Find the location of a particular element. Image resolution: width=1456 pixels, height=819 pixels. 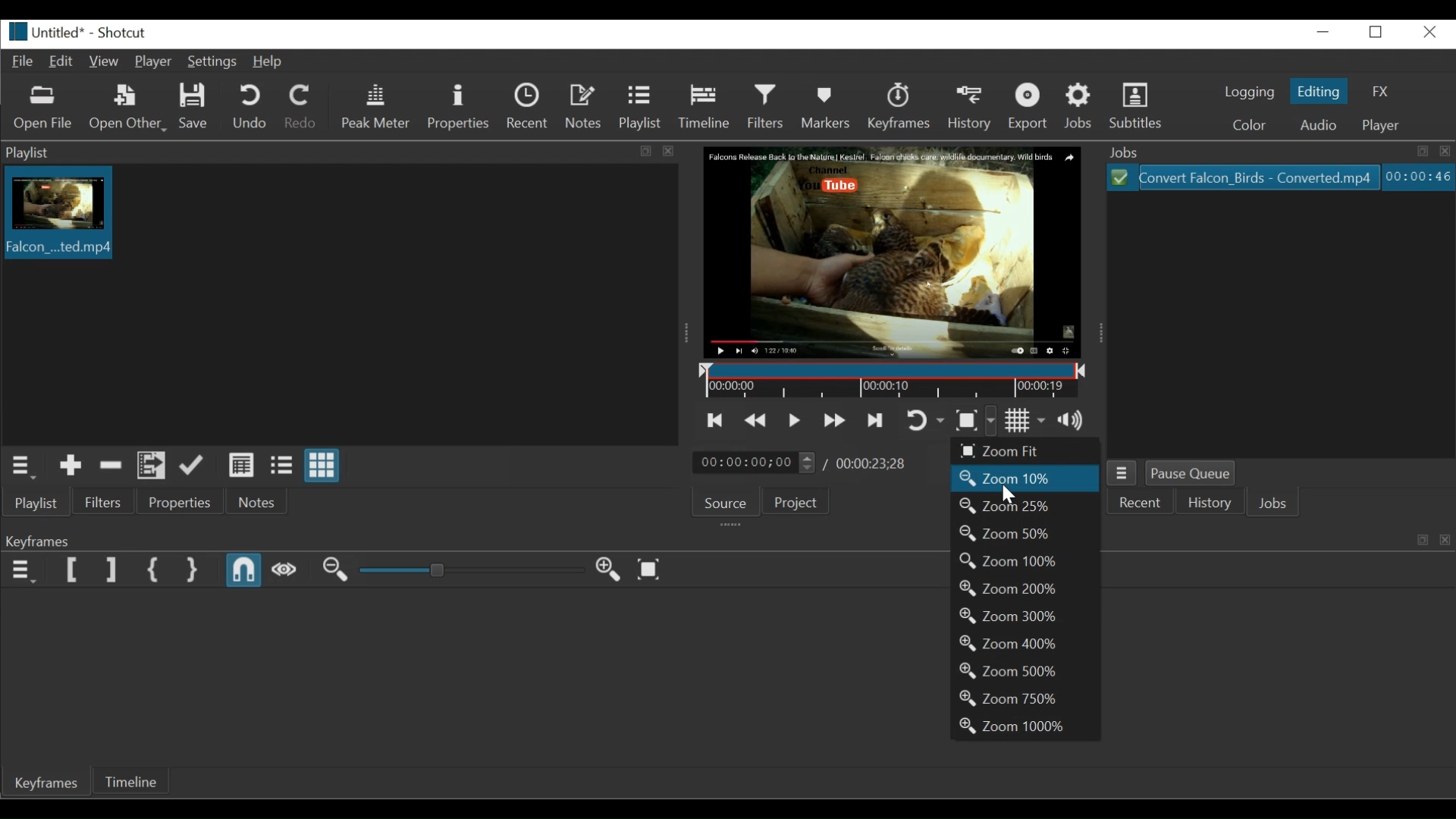

Filter is located at coordinates (103, 500).